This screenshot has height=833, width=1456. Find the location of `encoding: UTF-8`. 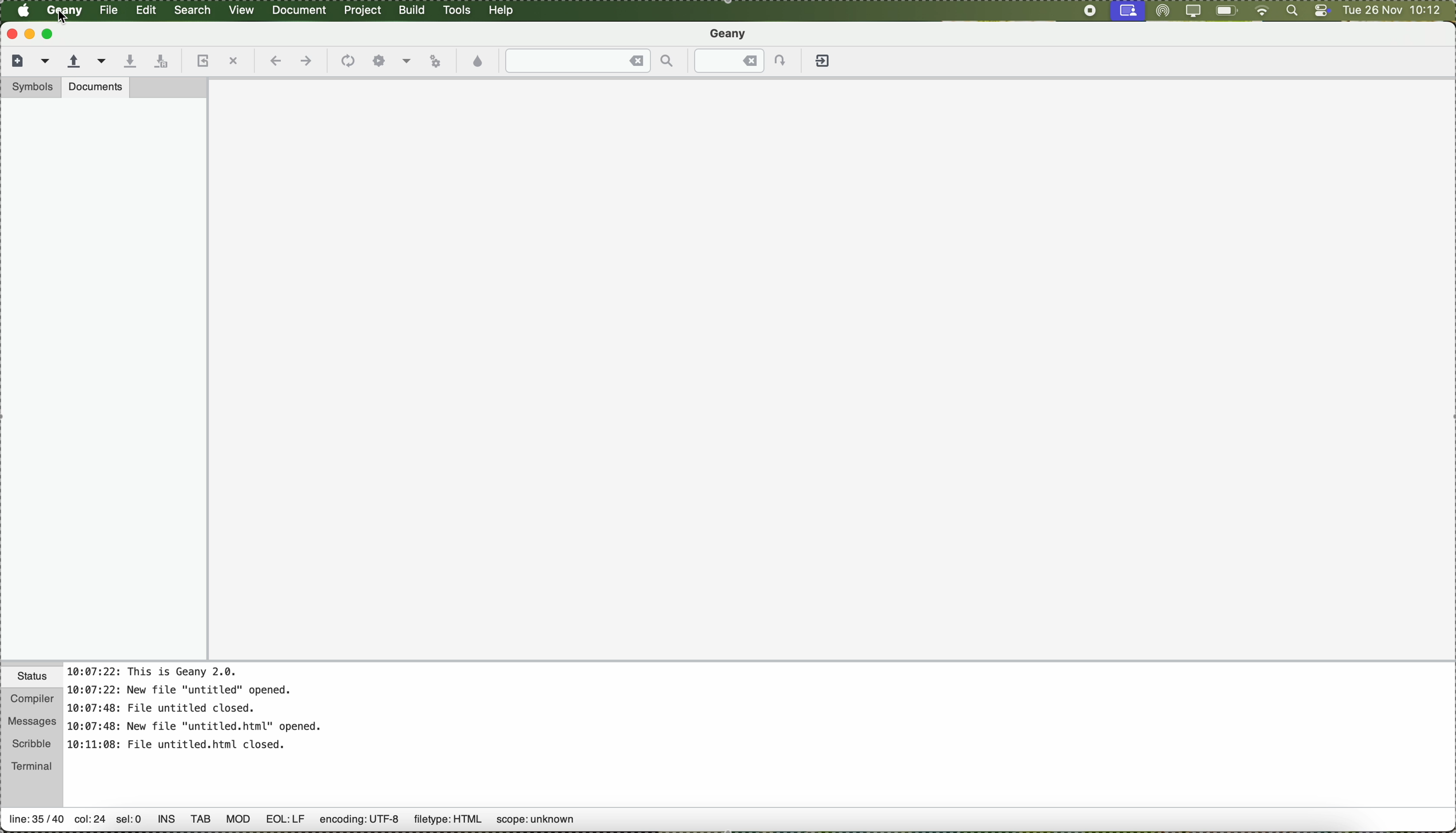

encoding: UTF-8 is located at coordinates (358, 823).